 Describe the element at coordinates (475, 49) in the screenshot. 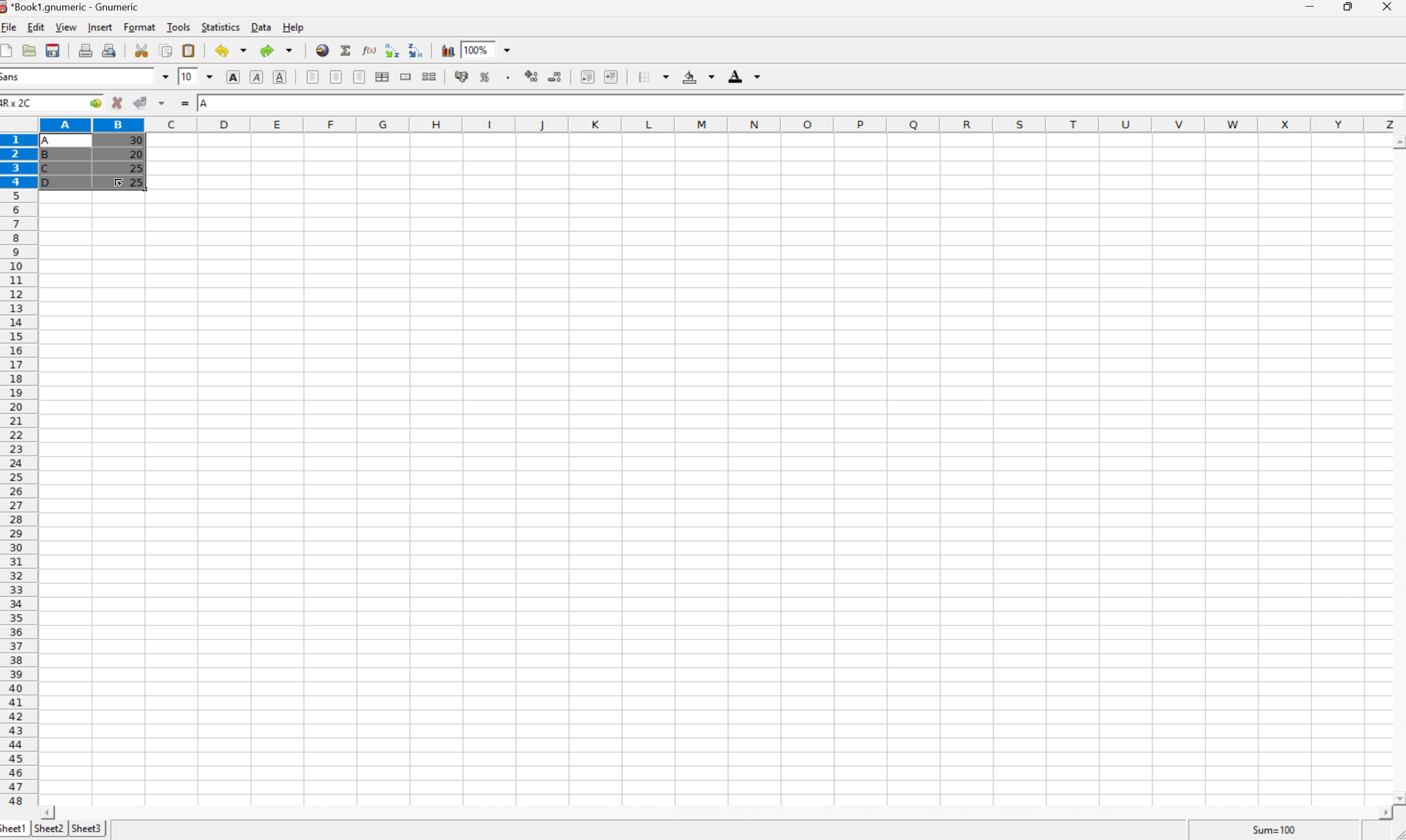

I see `100%` at that location.